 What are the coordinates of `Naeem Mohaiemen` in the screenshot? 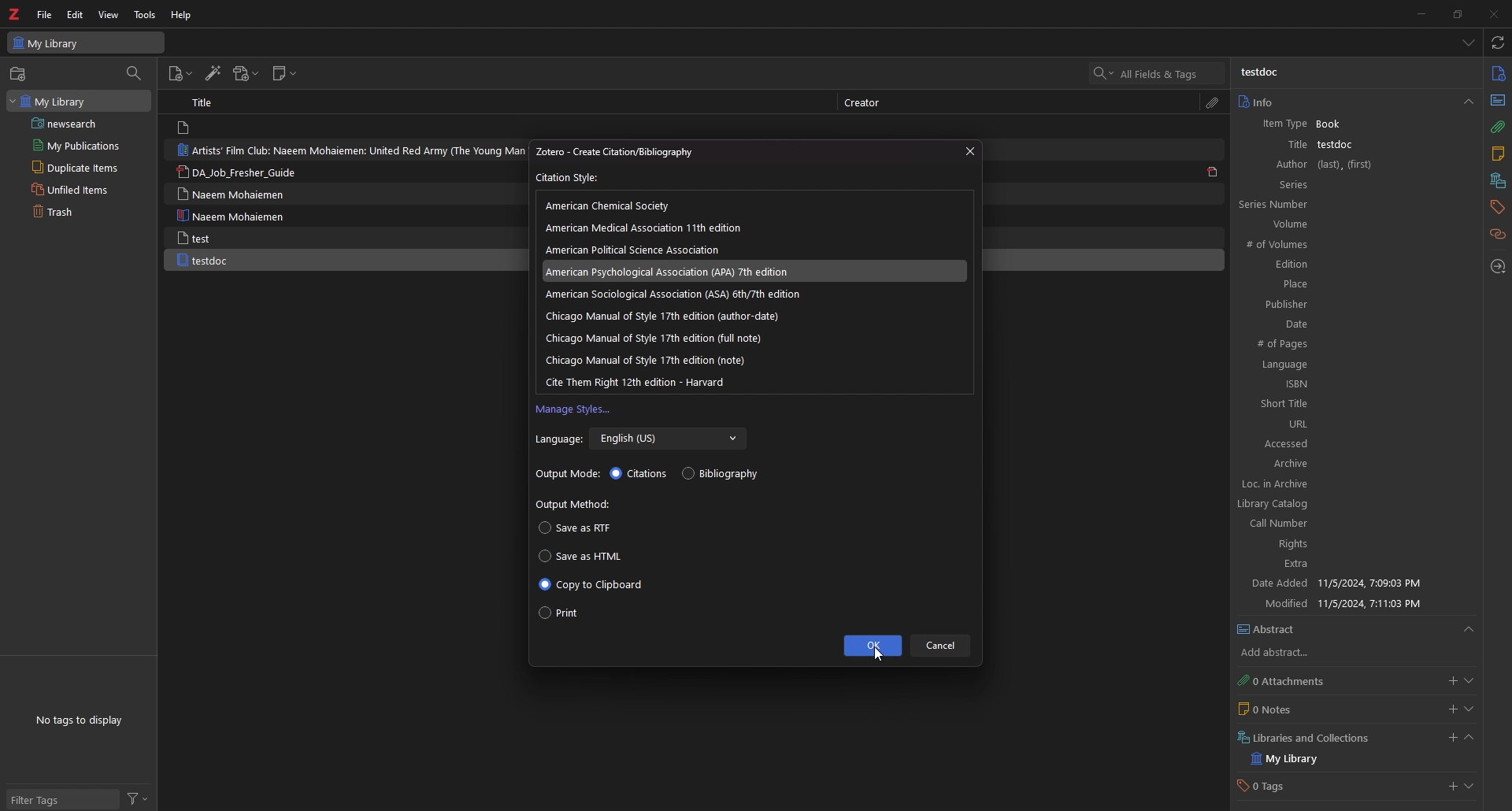 It's located at (231, 194).